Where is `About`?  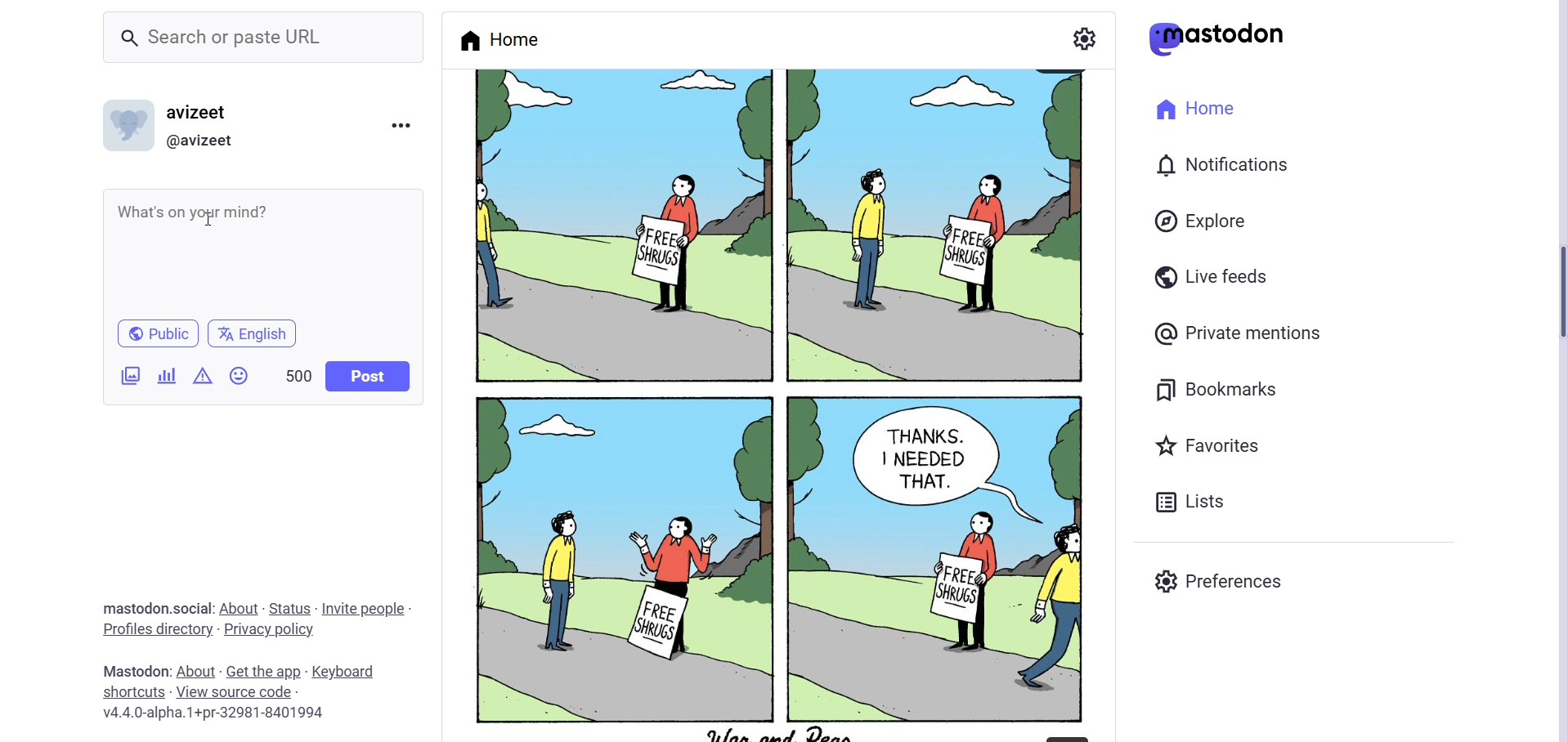
About is located at coordinates (241, 606).